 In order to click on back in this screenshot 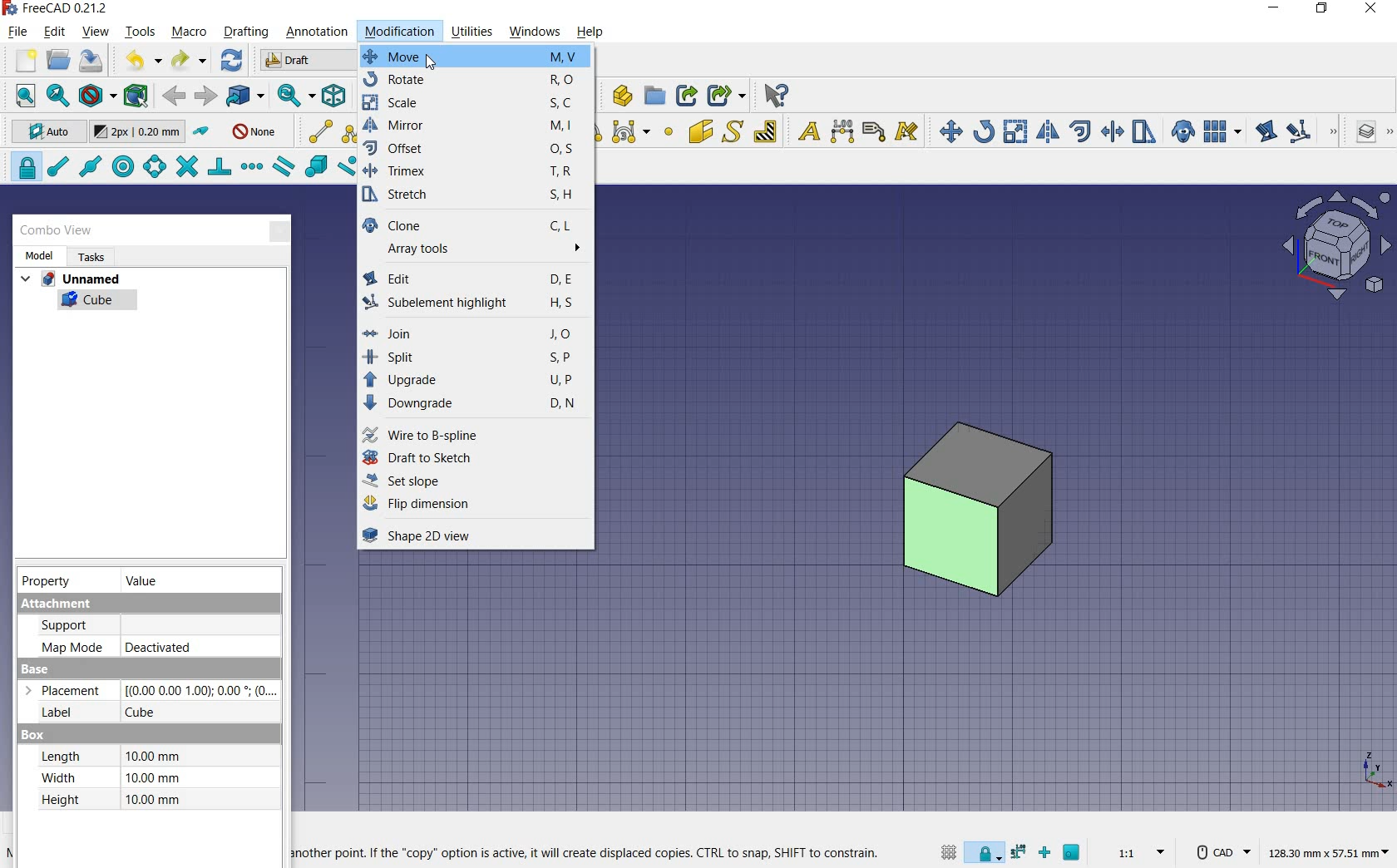, I will do `click(175, 96)`.